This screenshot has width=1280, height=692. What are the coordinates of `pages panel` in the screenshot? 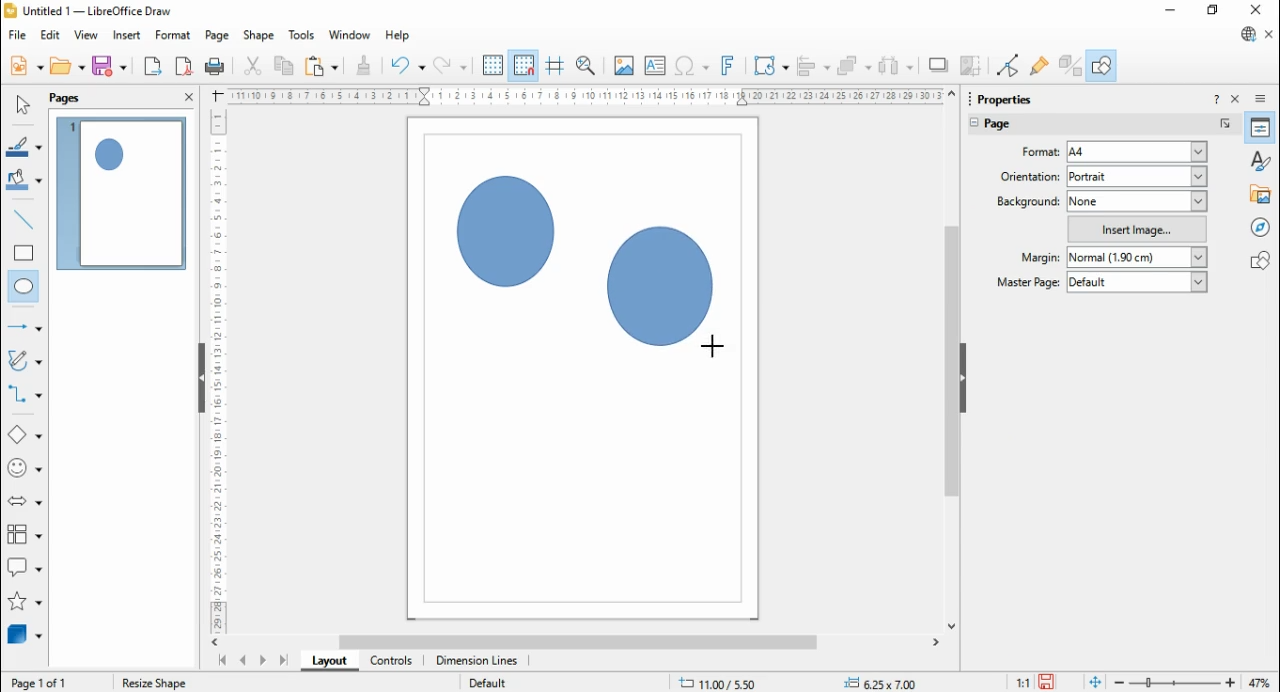 It's located at (79, 98).